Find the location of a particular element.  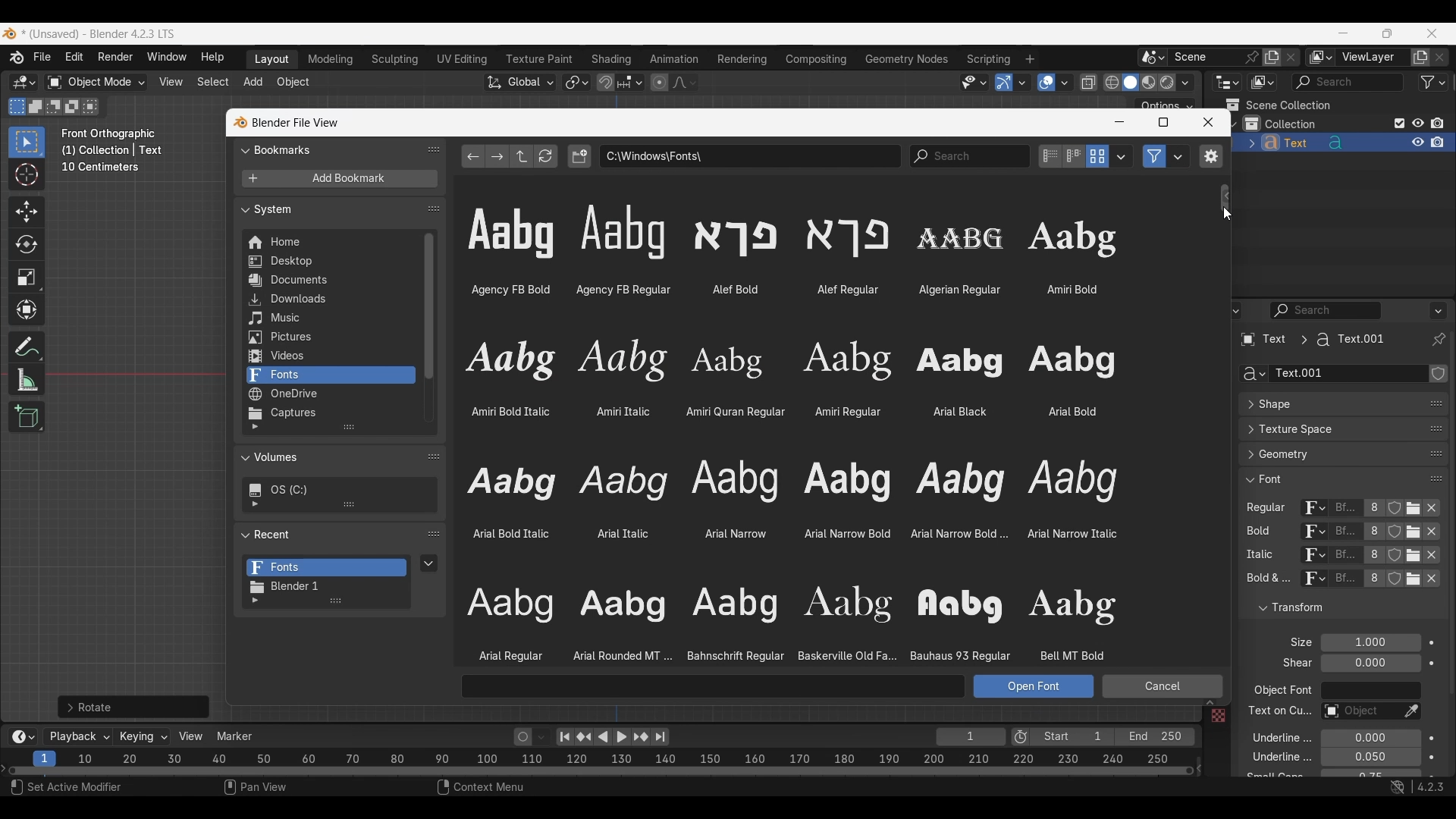

Object menu is located at coordinates (294, 83).